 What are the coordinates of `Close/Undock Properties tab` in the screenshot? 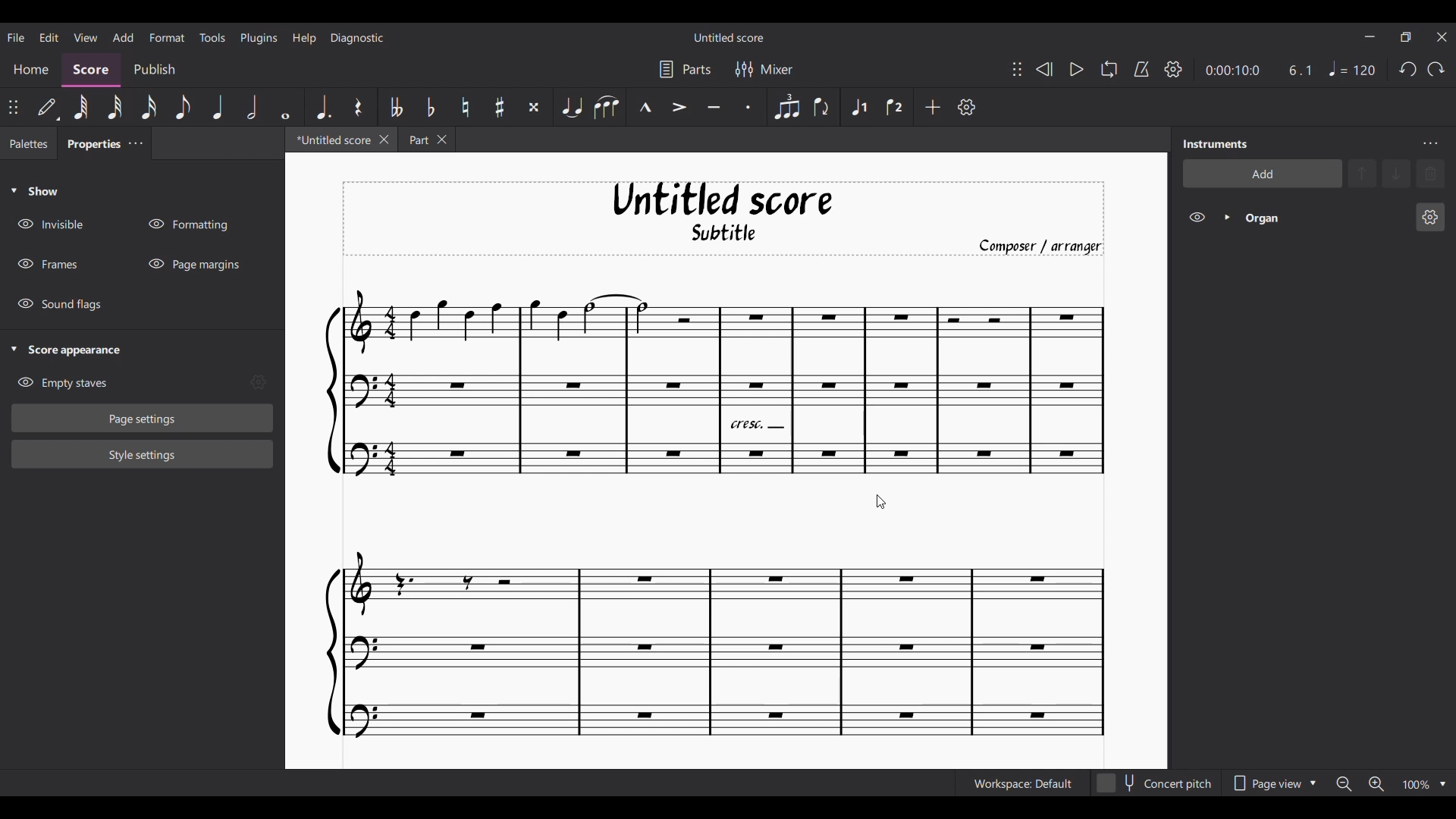 It's located at (135, 143).